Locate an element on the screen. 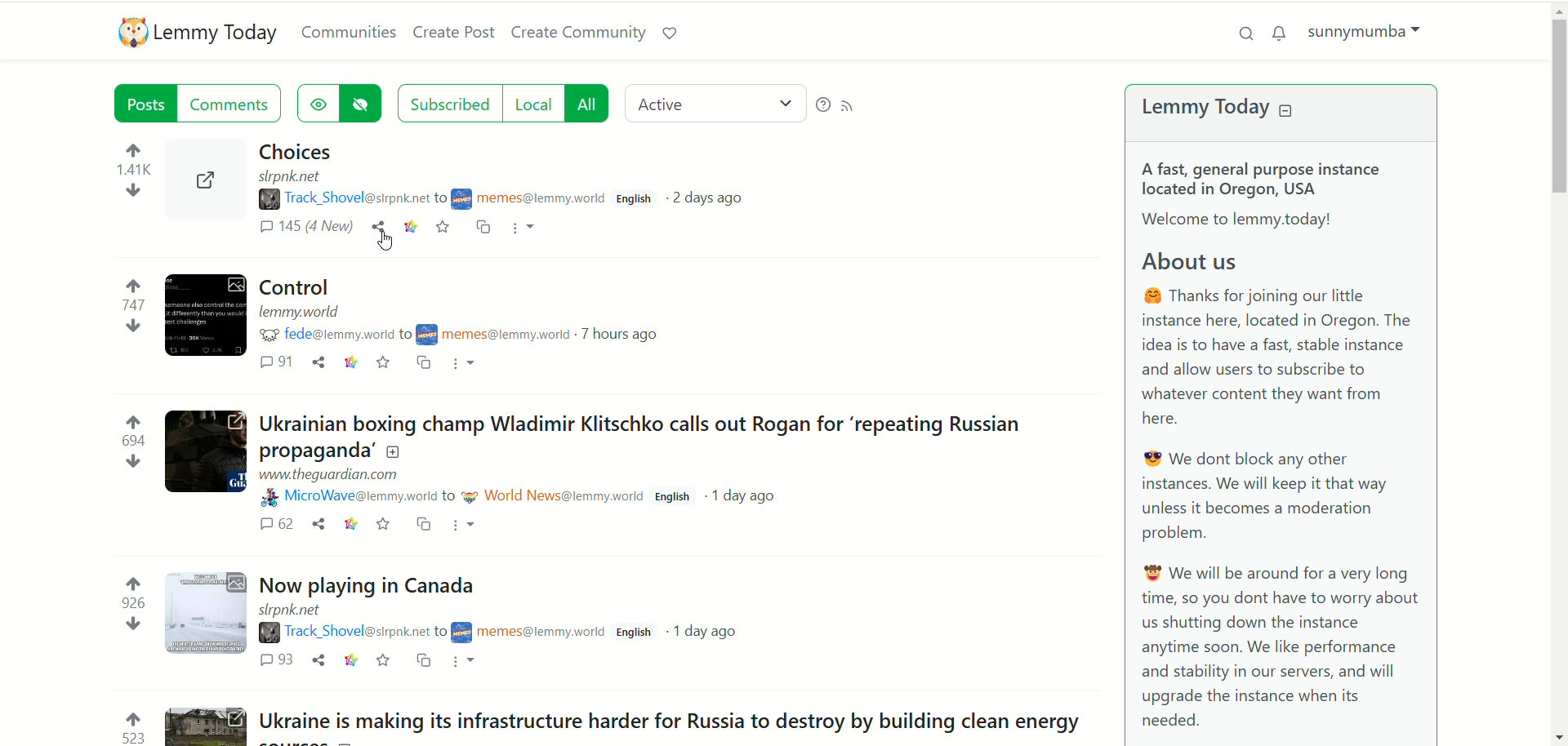  community is located at coordinates (551, 498).